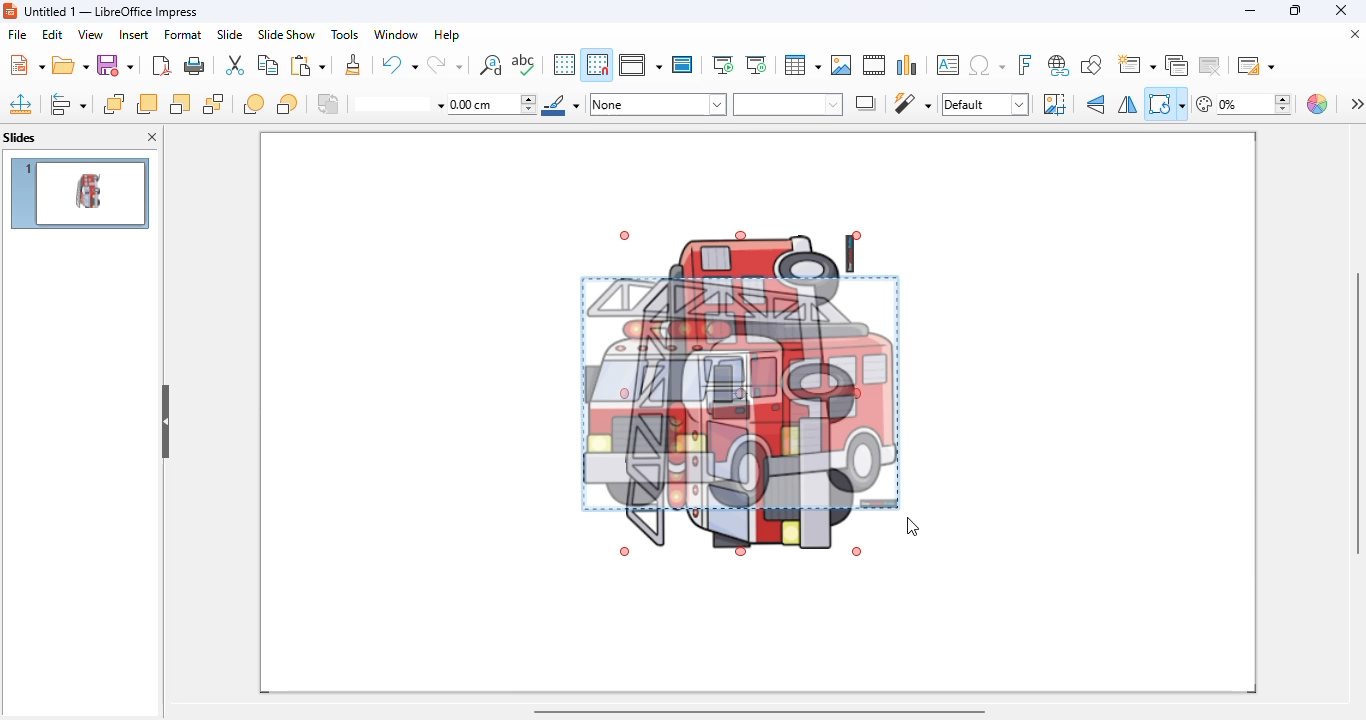 This screenshot has height=720, width=1366. What do you see at coordinates (146, 104) in the screenshot?
I see `bring forward` at bounding box center [146, 104].